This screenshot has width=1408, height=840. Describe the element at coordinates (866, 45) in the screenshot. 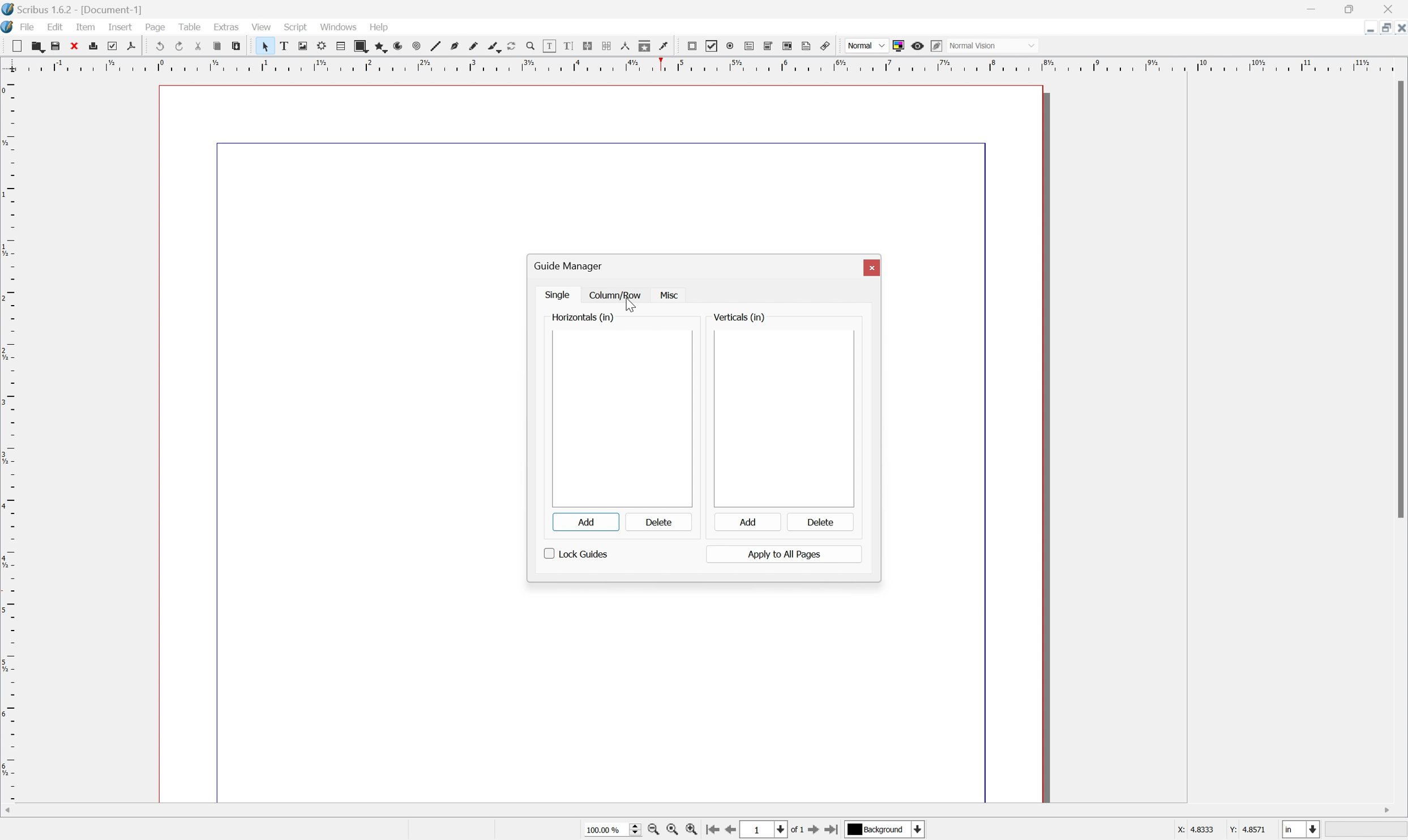

I see `normal` at that location.